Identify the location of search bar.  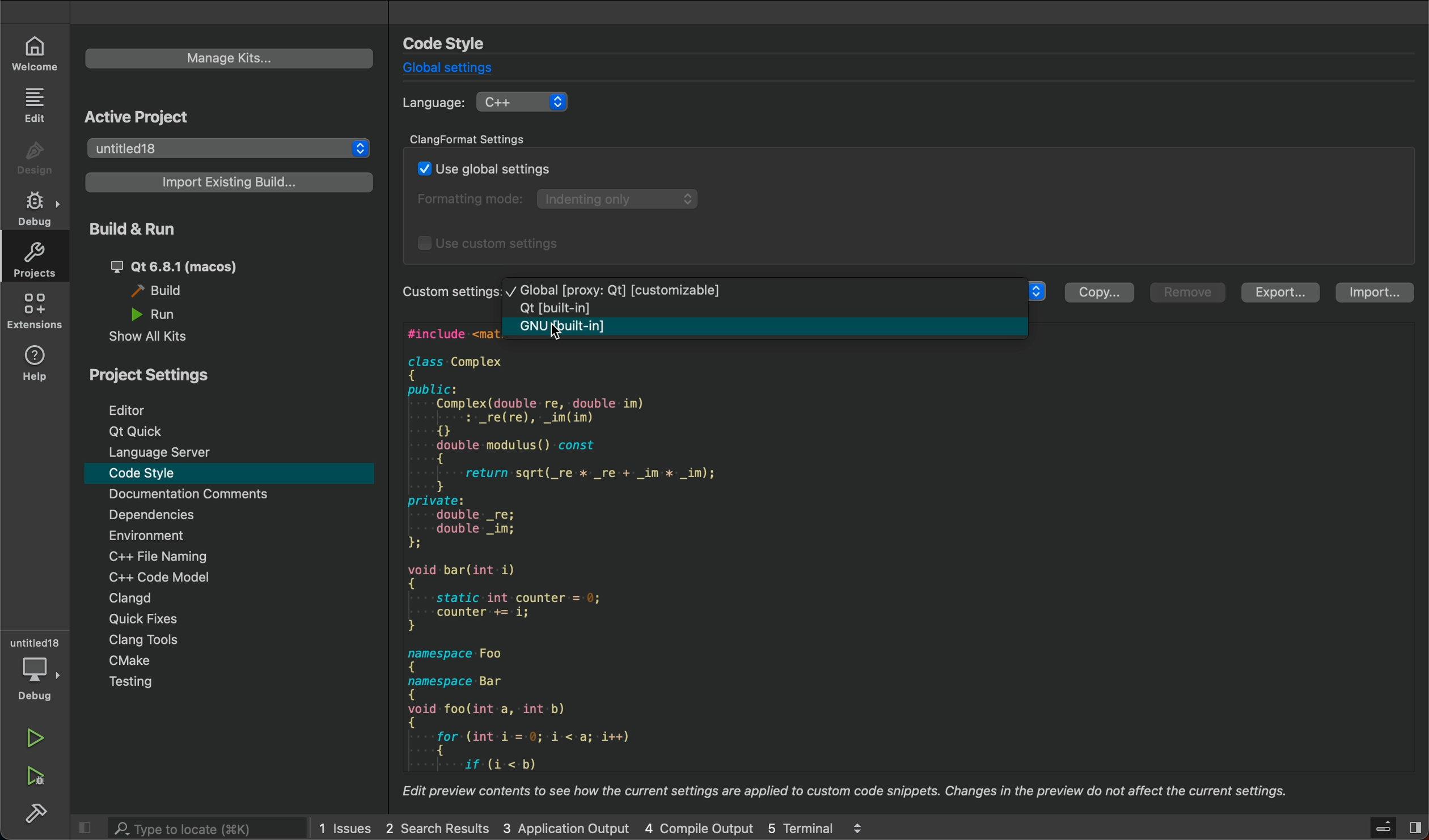
(205, 826).